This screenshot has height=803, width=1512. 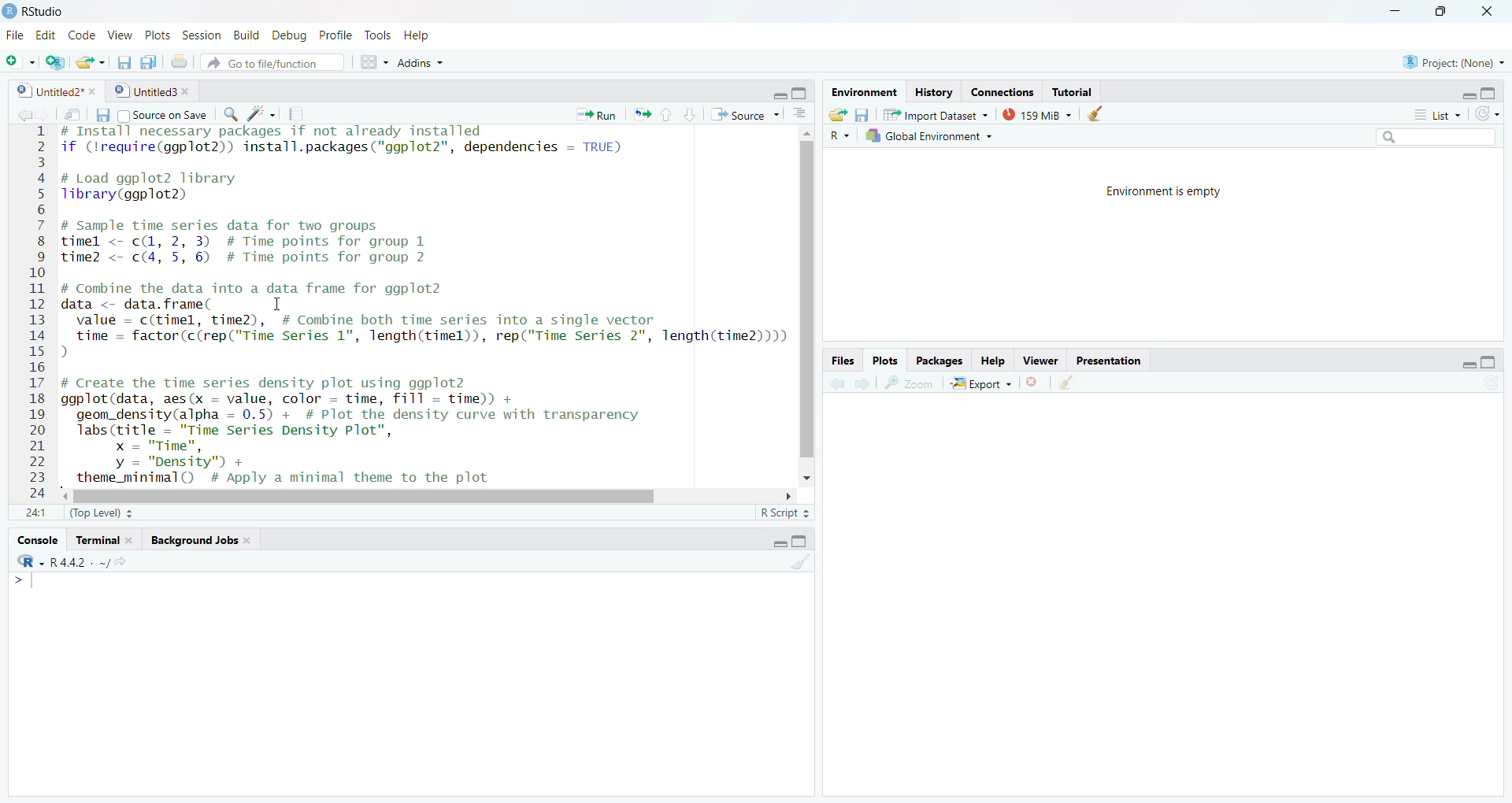 I want to click on Document Outline, so click(x=799, y=113).